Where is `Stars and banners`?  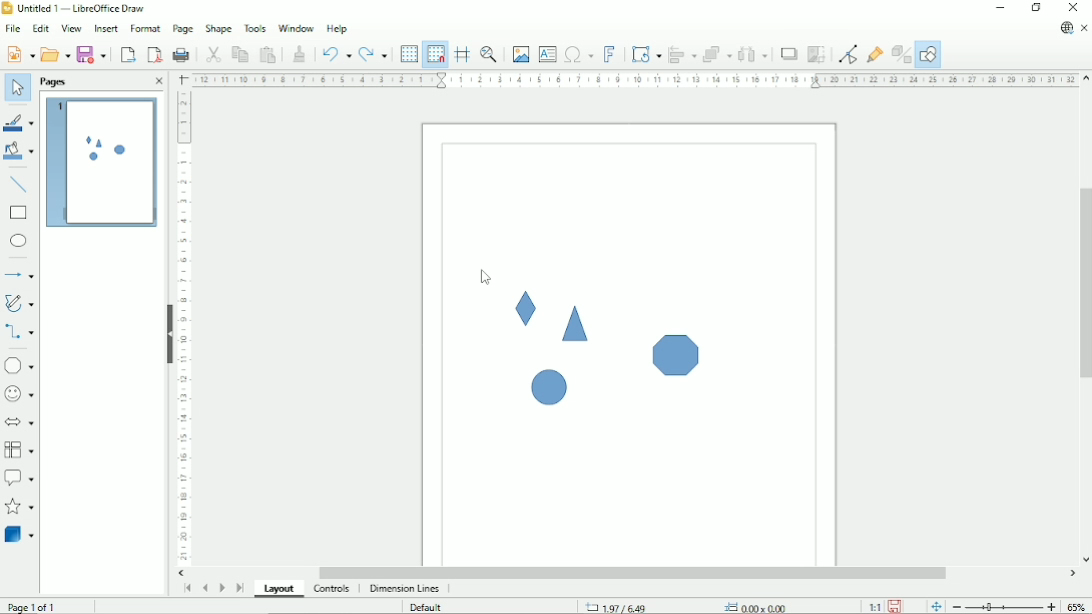 Stars and banners is located at coordinates (21, 508).